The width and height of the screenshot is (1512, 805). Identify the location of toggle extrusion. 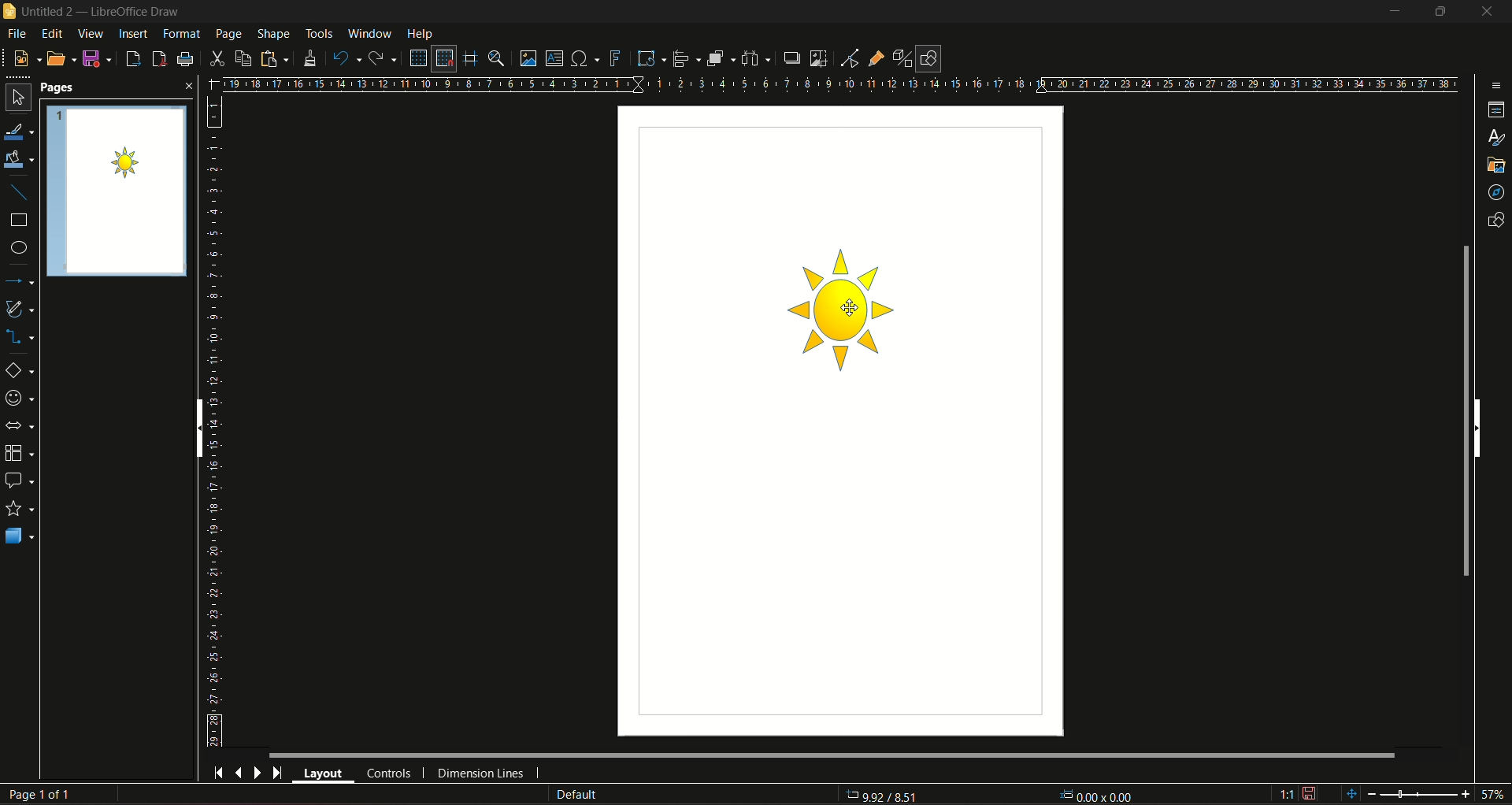
(901, 58).